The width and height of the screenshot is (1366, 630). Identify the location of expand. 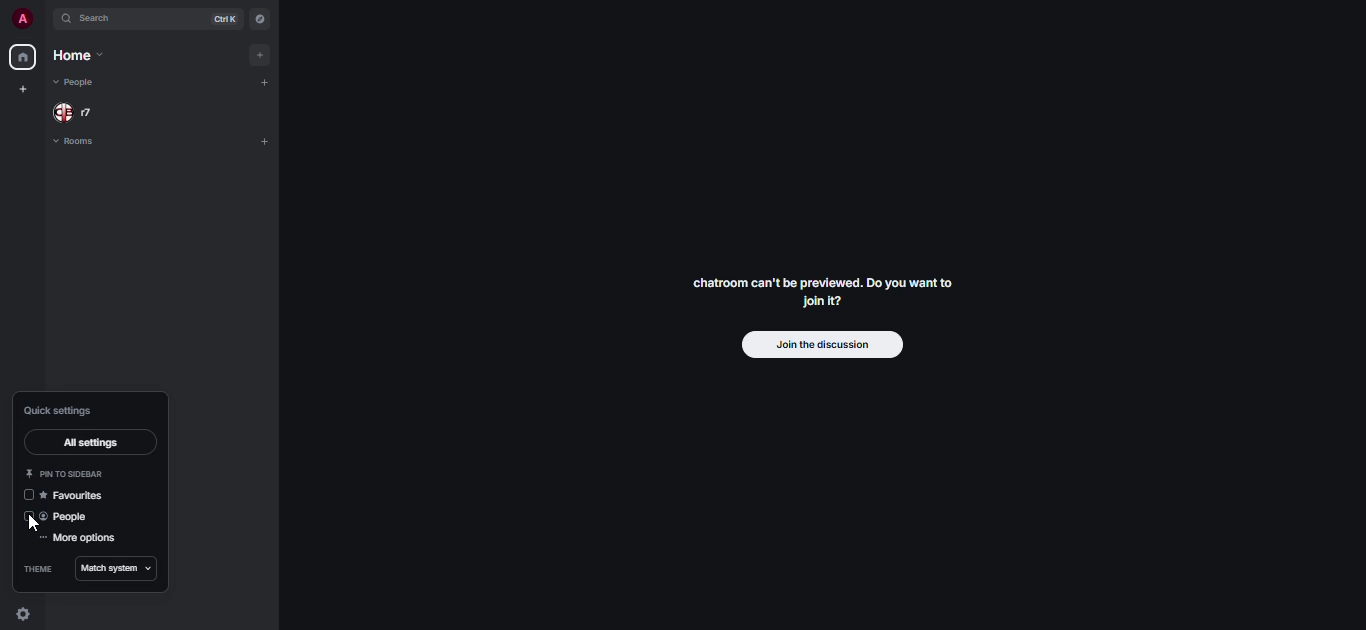
(46, 19).